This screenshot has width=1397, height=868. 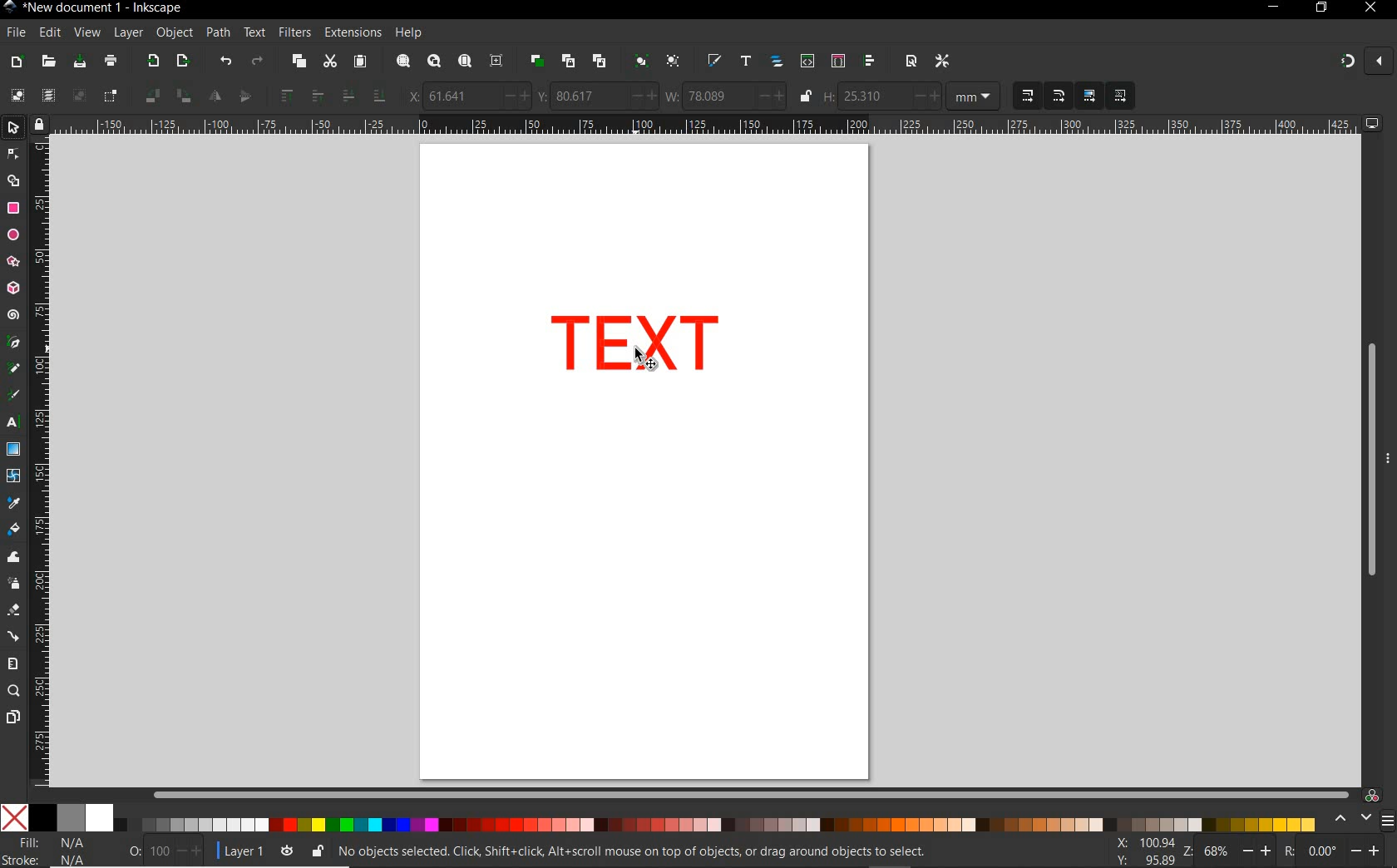 What do you see at coordinates (13, 558) in the screenshot?
I see `tweak tool` at bounding box center [13, 558].